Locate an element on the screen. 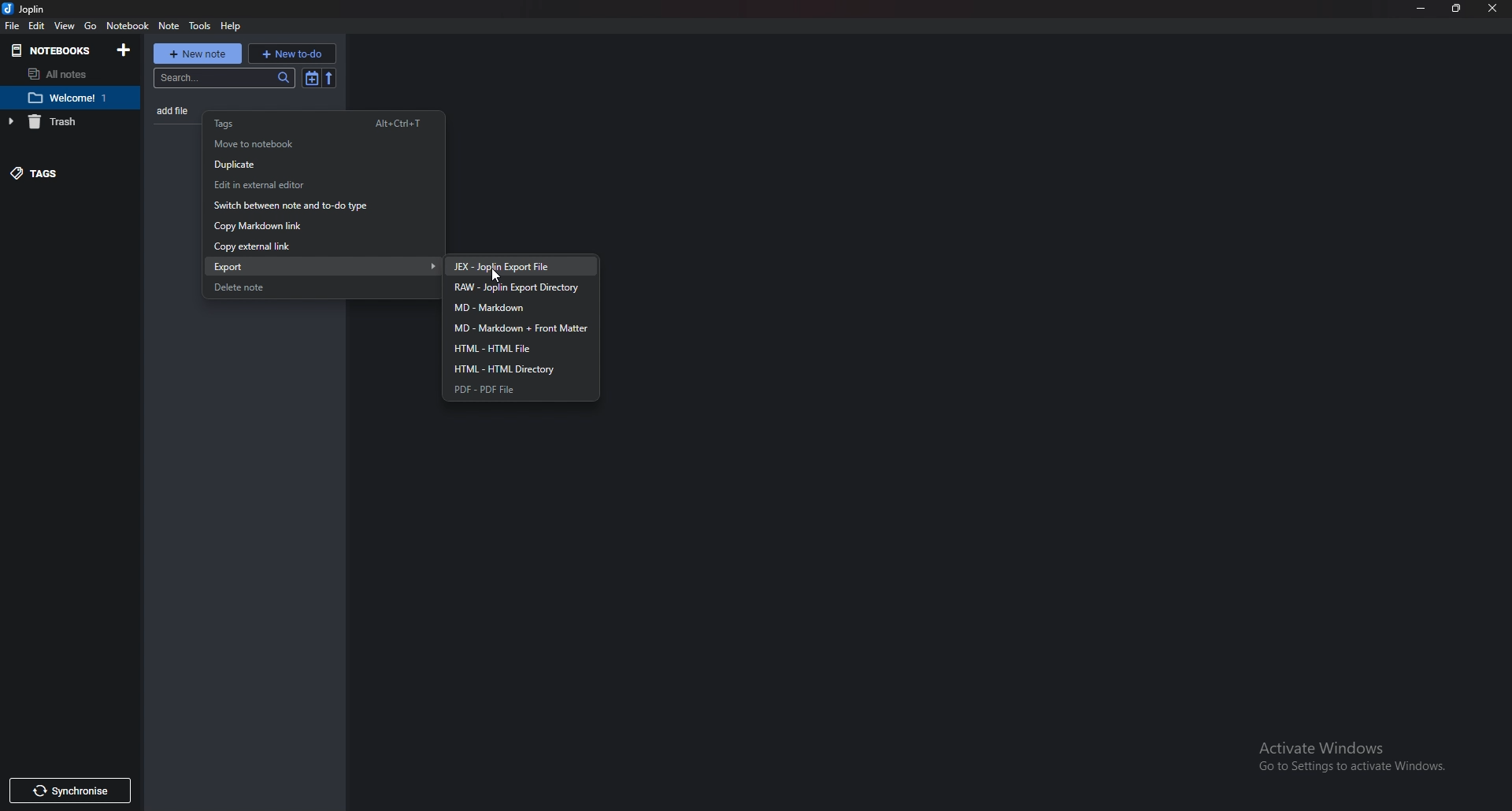 The width and height of the screenshot is (1512, 811). markdown is located at coordinates (521, 309).